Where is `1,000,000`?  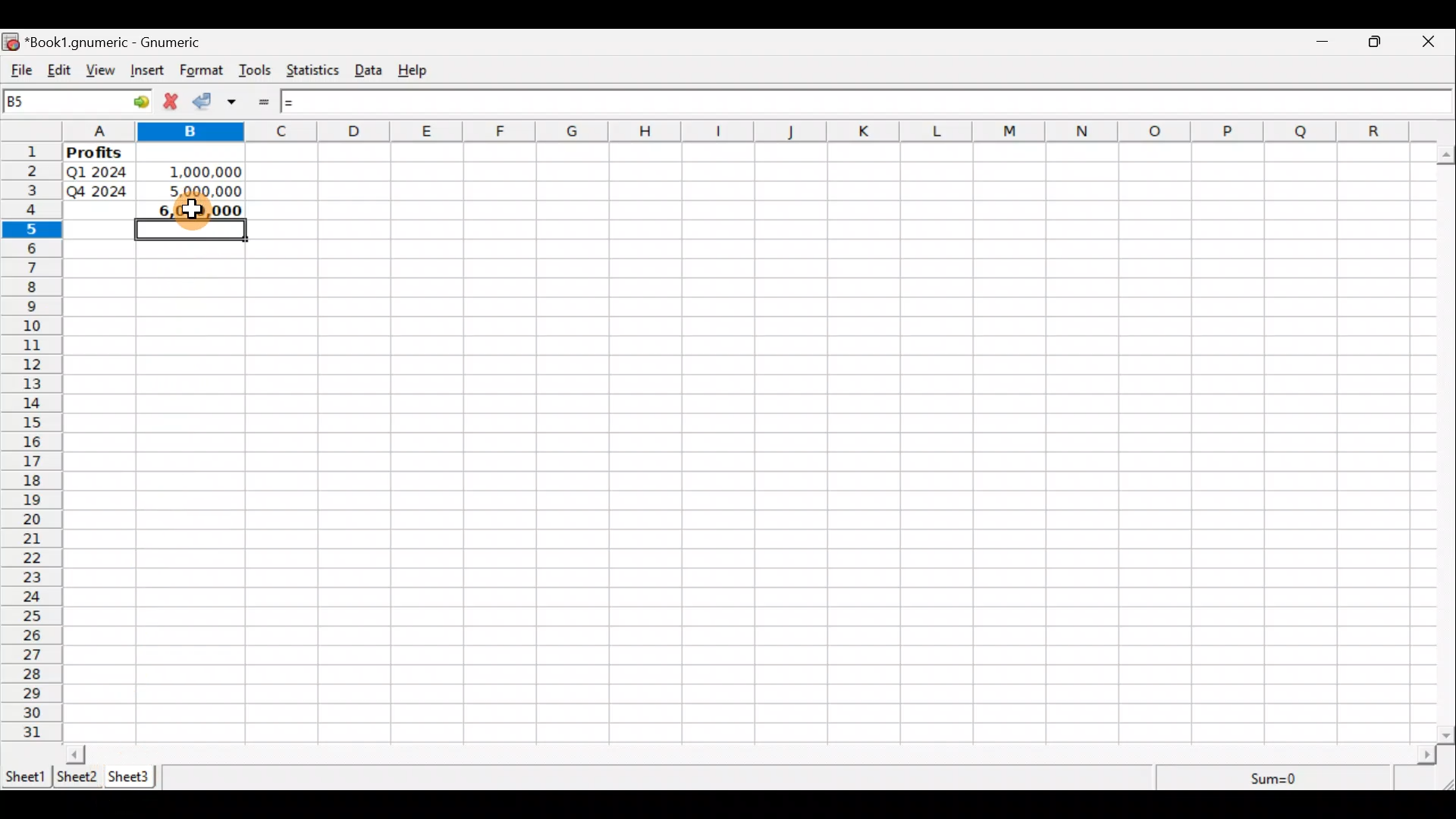 1,000,000 is located at coordinates (196, 169).